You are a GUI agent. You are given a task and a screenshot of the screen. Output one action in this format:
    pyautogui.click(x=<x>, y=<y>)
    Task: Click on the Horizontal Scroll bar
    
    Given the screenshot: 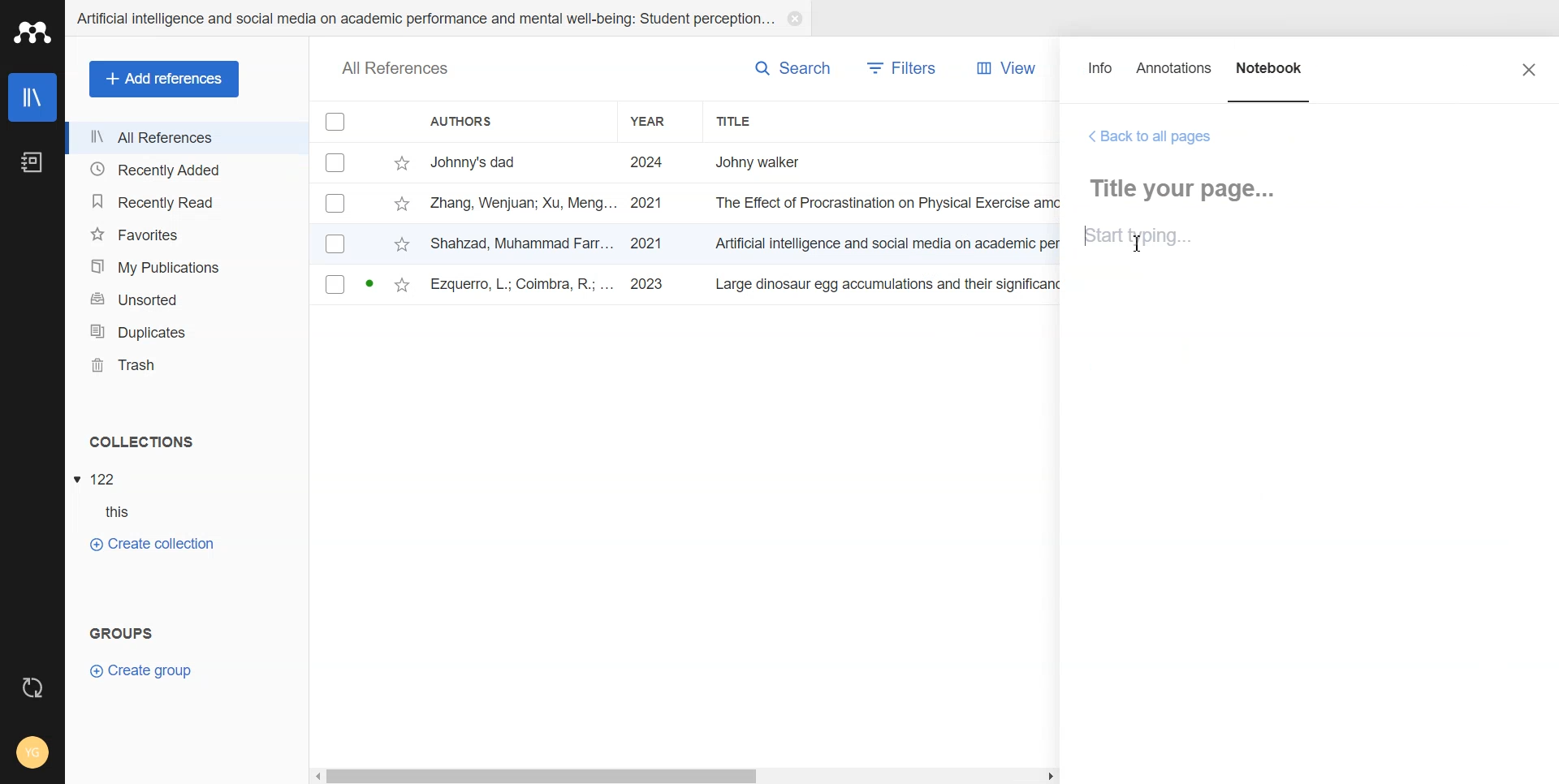 What is the action you would take?
    pyautogui.click(x=686, y=774)
    